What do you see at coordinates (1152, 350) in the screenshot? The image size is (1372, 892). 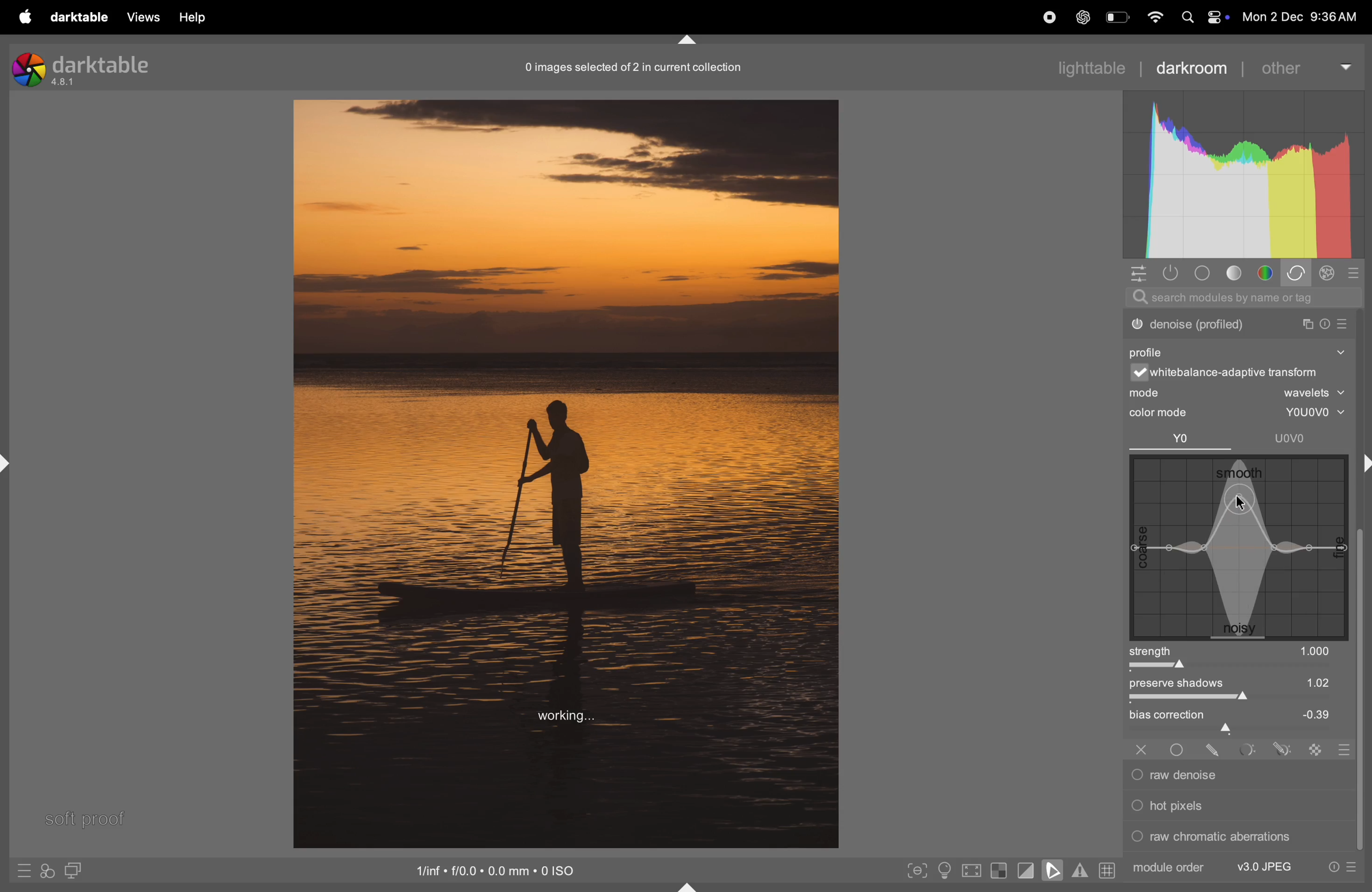 I see `profile` at bounding box center [1152, 350].